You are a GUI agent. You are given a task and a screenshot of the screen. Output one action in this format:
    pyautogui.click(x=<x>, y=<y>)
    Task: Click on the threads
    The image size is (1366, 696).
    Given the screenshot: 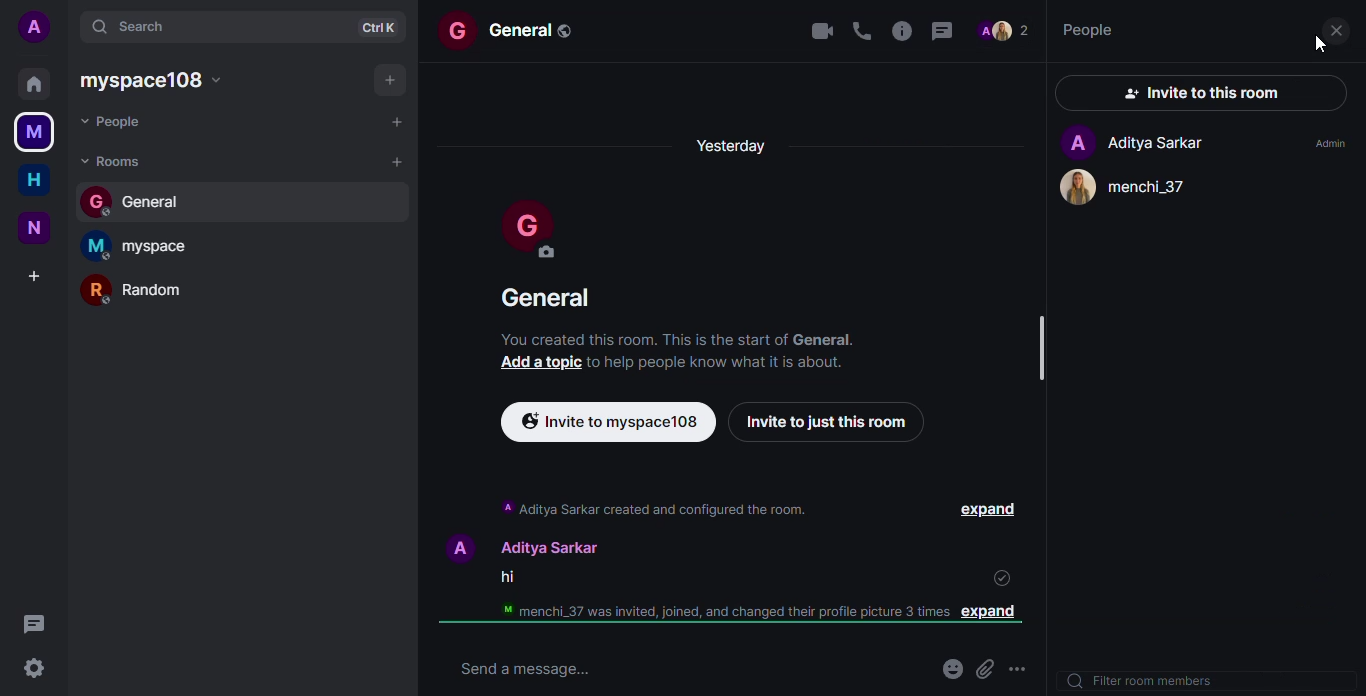 What is the action you would take?
    pyautogui.click(x=34, y=625)
    